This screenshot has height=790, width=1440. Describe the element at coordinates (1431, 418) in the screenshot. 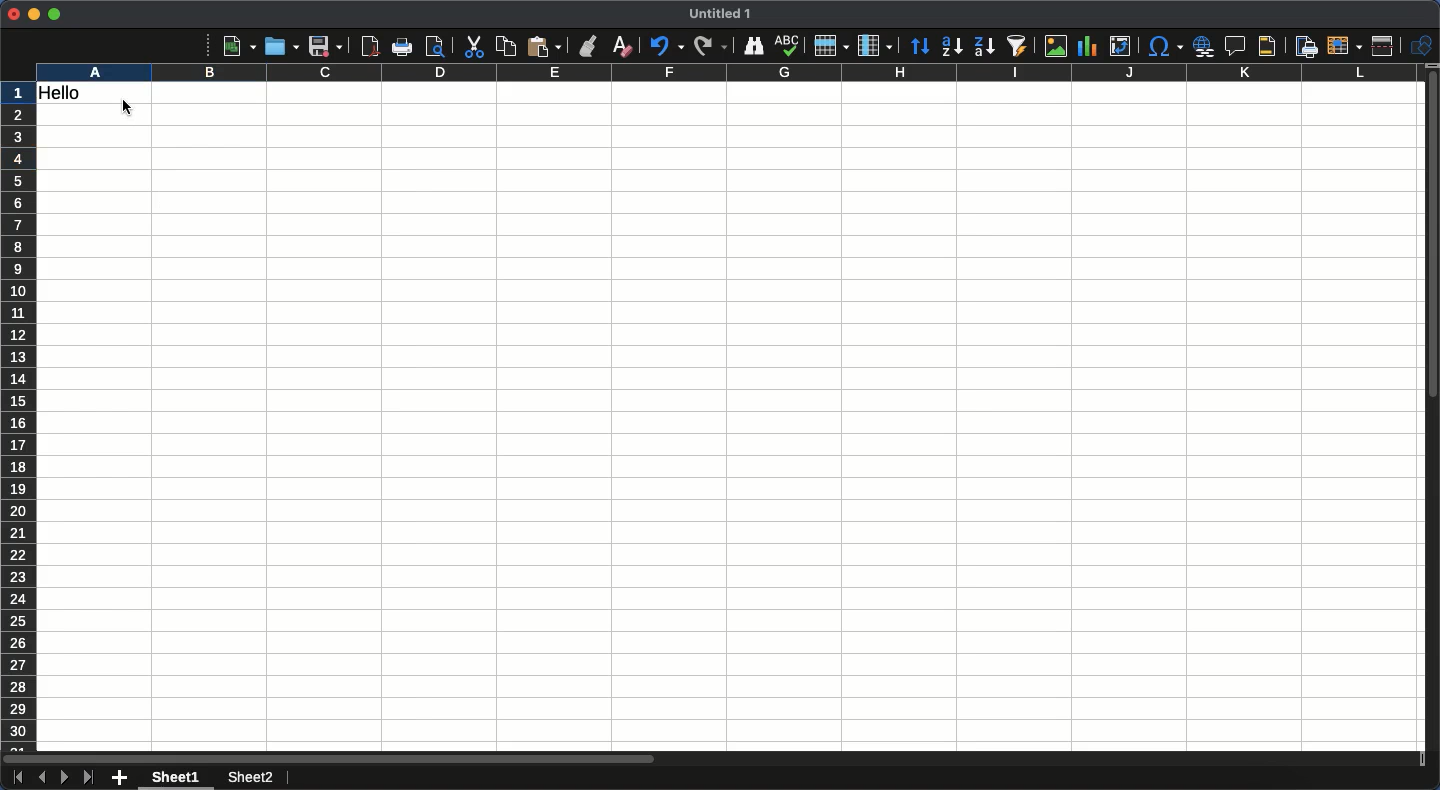

I see `Scroll` at that location.